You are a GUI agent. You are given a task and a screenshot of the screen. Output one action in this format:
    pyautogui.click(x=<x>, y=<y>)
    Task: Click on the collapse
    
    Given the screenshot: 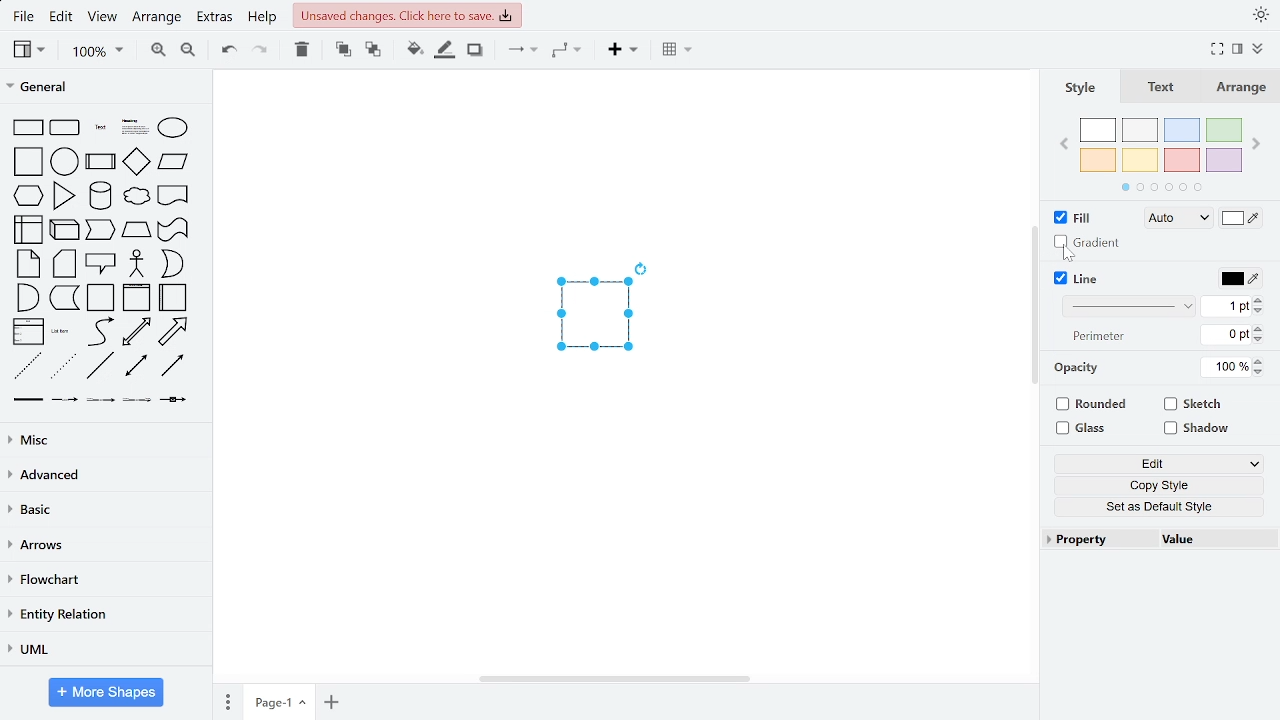 What is the action you would take?
    pyautogui.click(x=1258, y=47)
    